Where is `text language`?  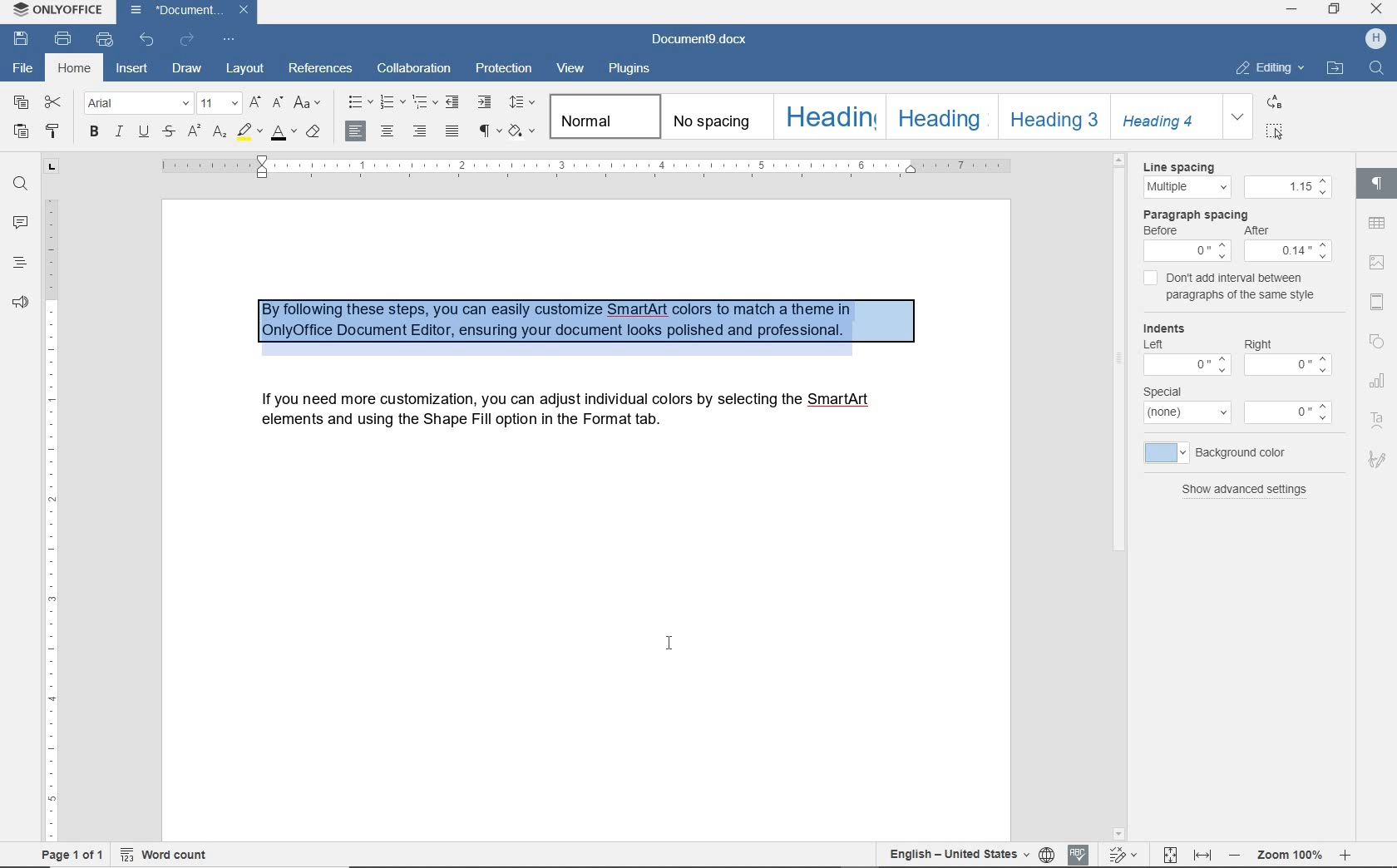 text language is located at coordinates (955, 851).